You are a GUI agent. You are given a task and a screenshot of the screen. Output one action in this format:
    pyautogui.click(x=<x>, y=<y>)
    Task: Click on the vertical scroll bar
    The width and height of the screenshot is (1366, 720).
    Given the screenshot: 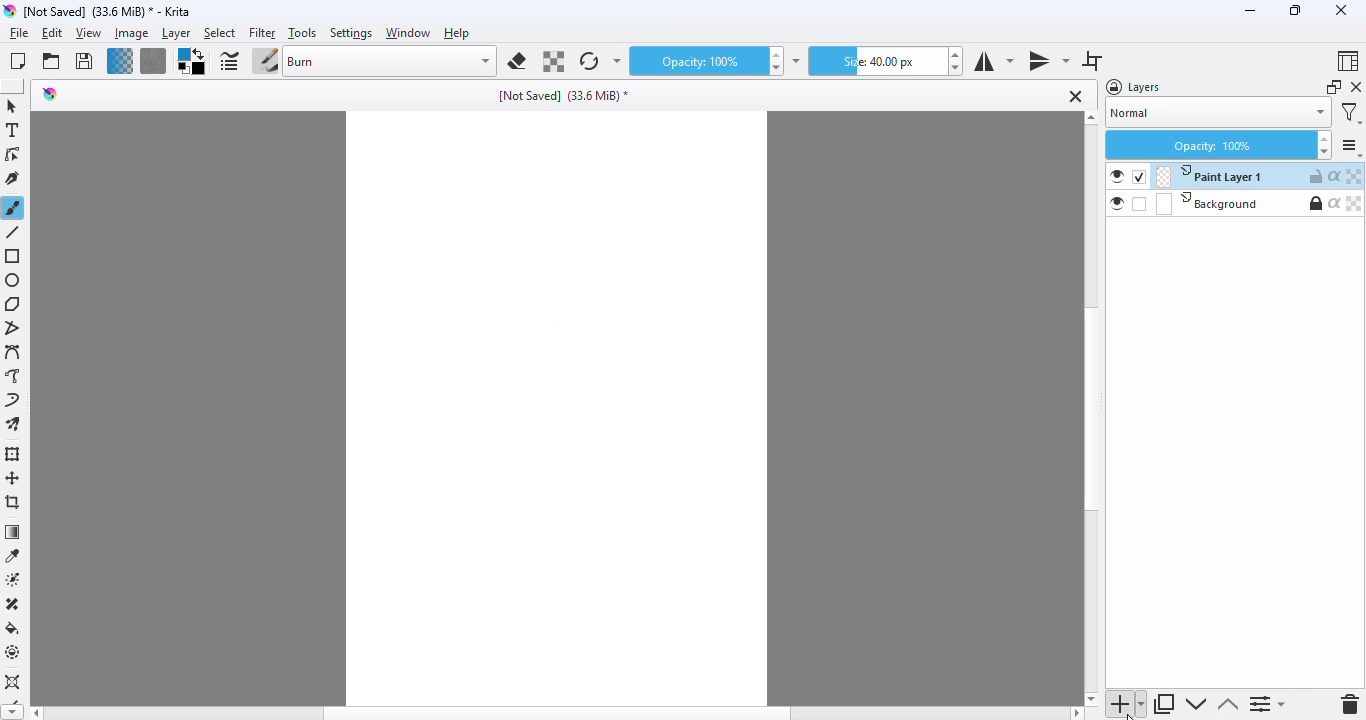 What is the action you would take?
    pyautogui.click(x=1092, y=410)
    